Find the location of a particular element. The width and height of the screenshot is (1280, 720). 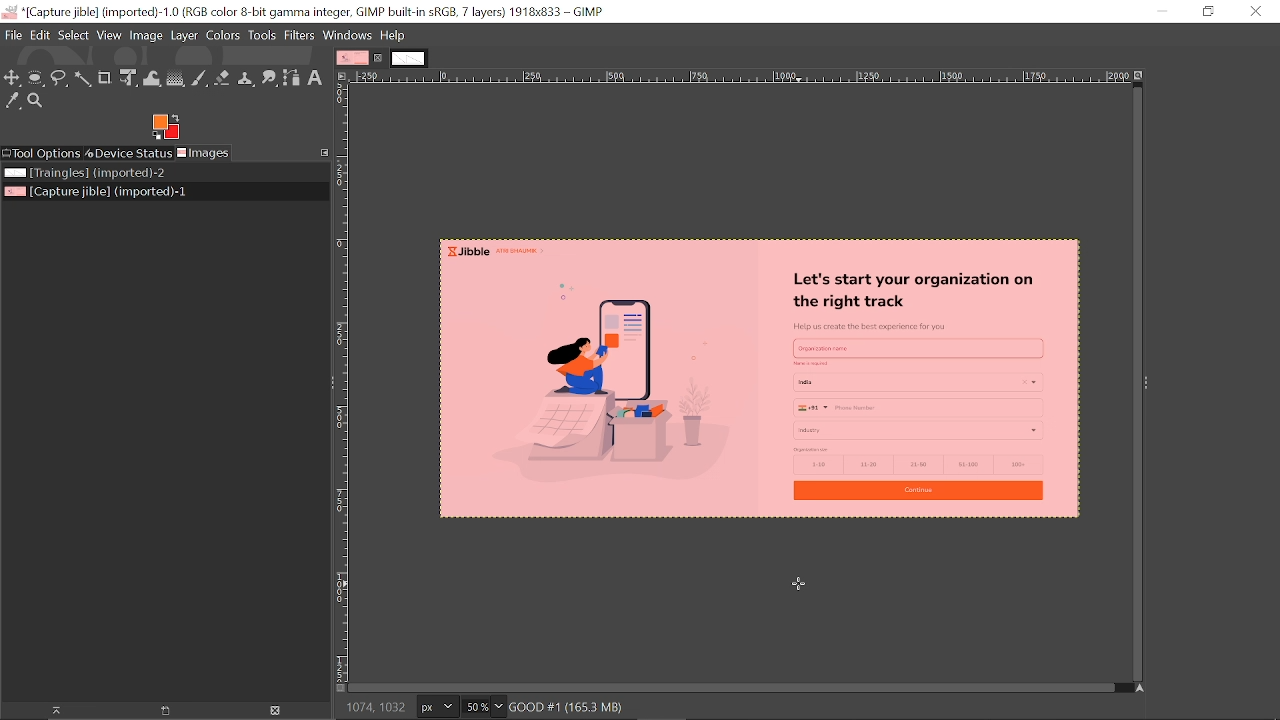

Zoom options is located at coordinates (501, 706).